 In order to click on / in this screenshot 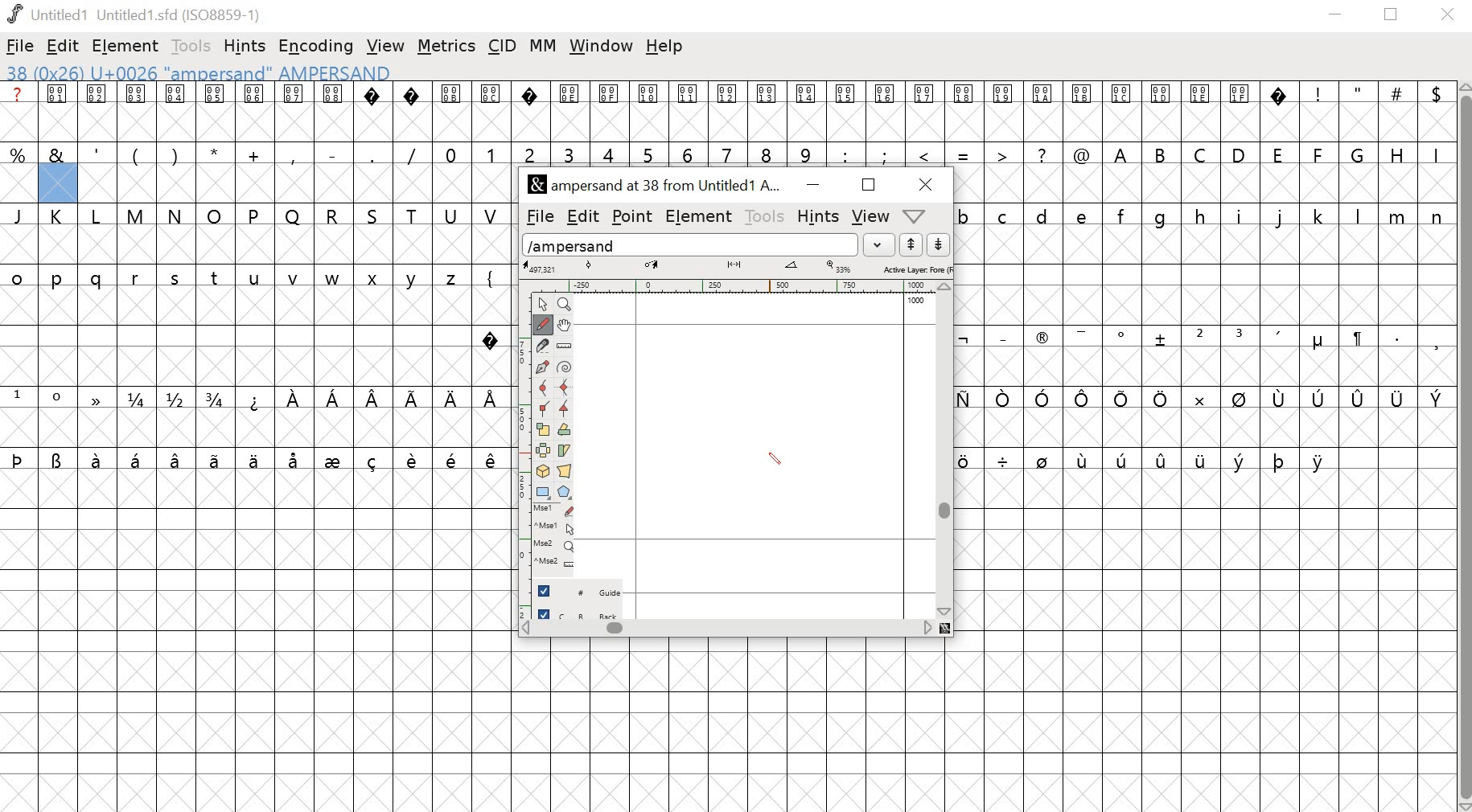, I will do `click(412, 154)`.